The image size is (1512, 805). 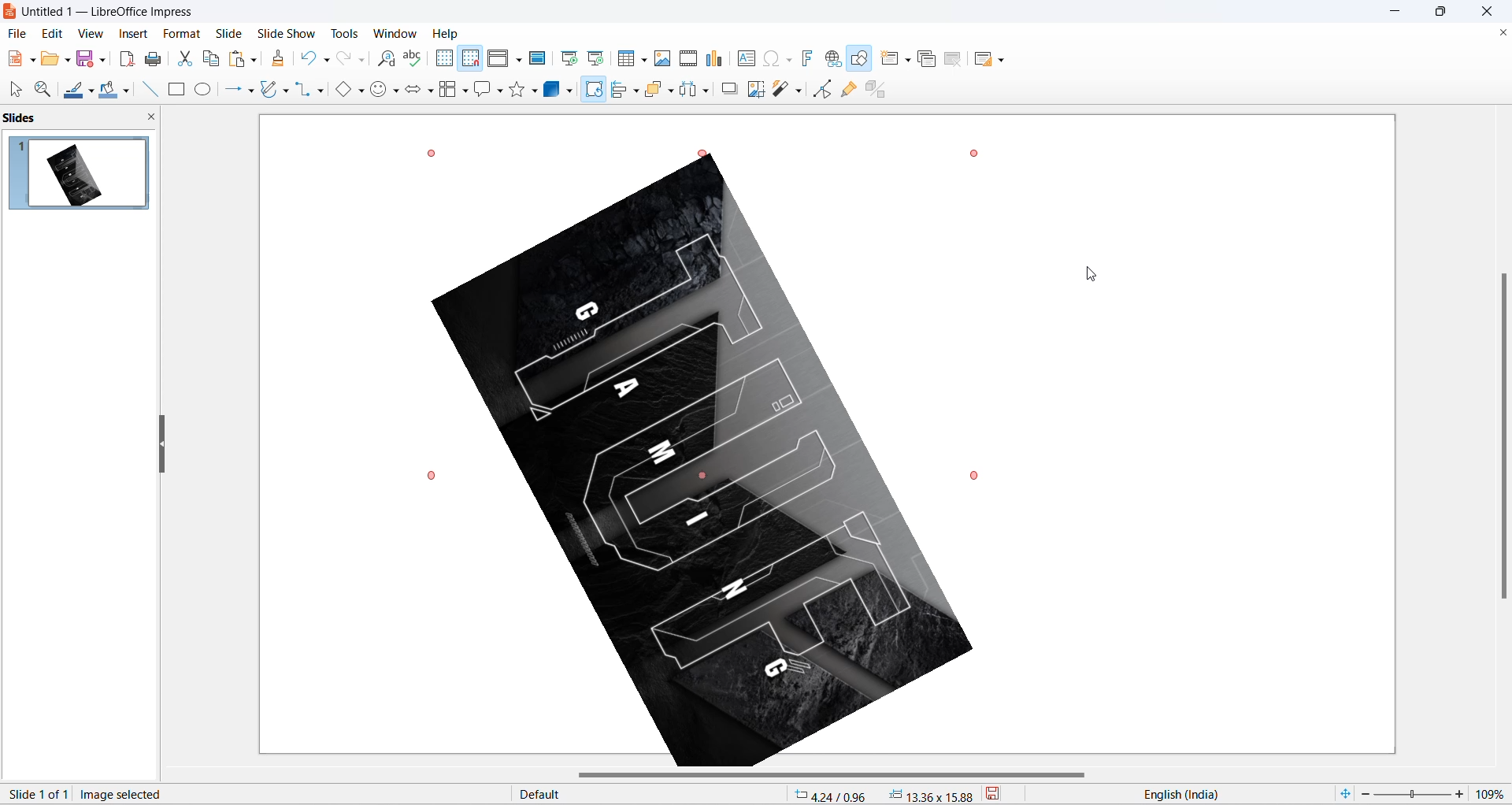 What do you see at coordinates (806, 57) in the screenshot?
I see `insert fontwork text` at bounding box center [806, 57].